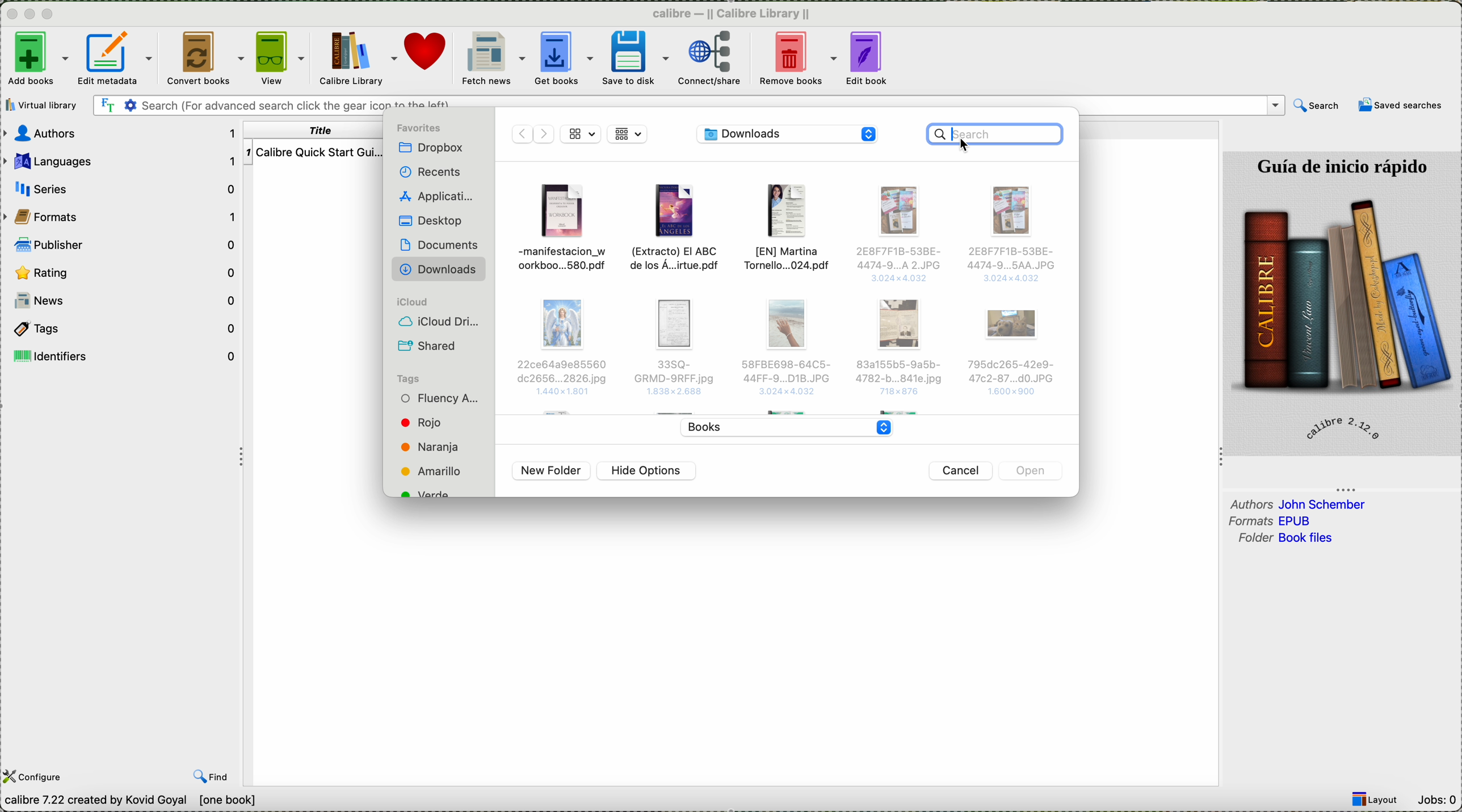 The width and height of the screenshot is (1462, 812). I want to click on , so click(897, 233).